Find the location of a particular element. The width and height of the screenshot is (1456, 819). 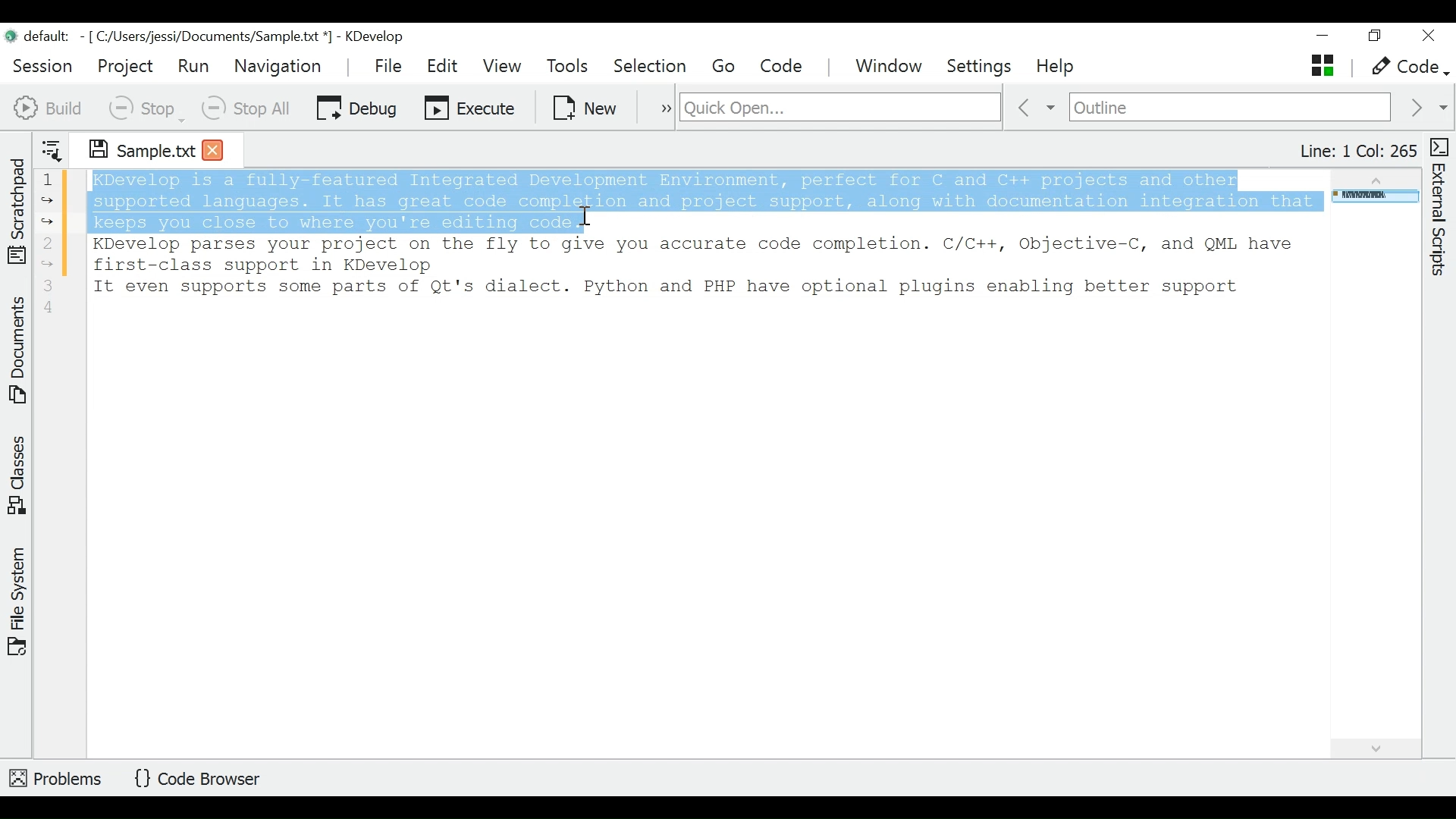

File is located at coordinates (391, 65).